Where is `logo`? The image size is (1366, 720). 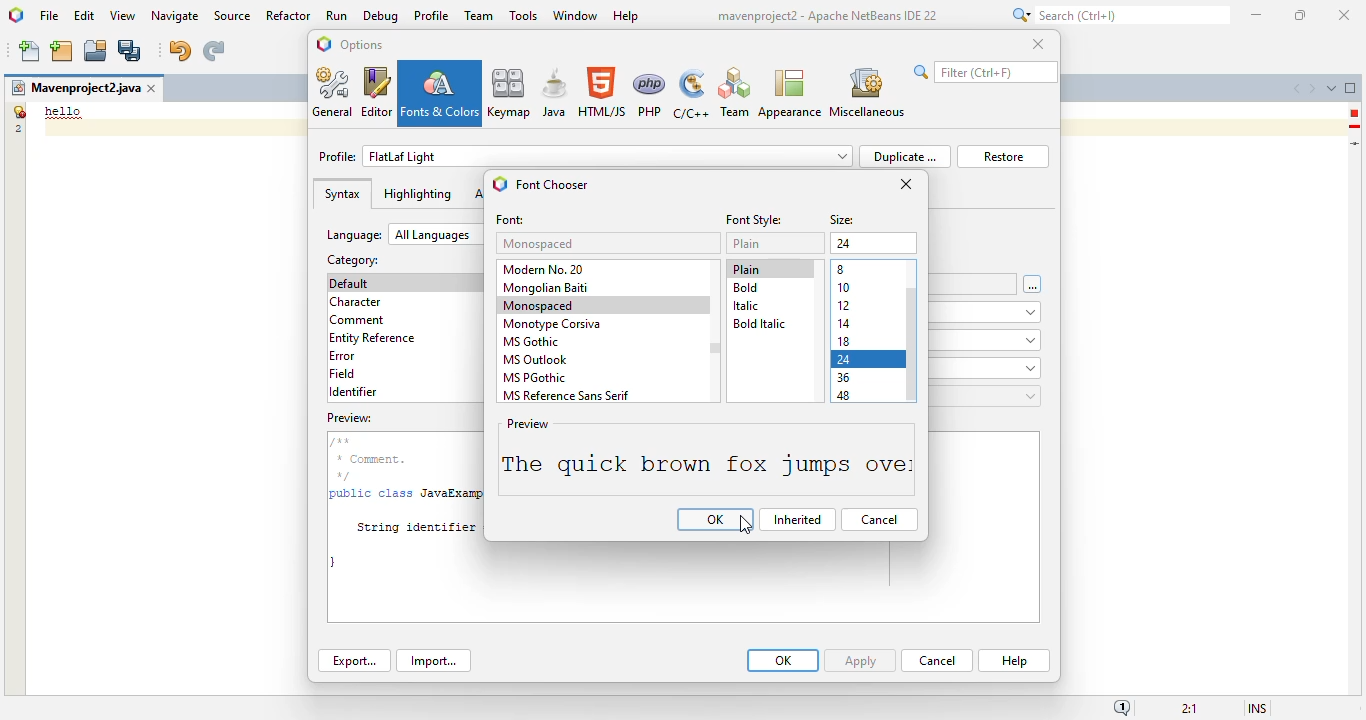
logo is located at coordinates (17, 15).